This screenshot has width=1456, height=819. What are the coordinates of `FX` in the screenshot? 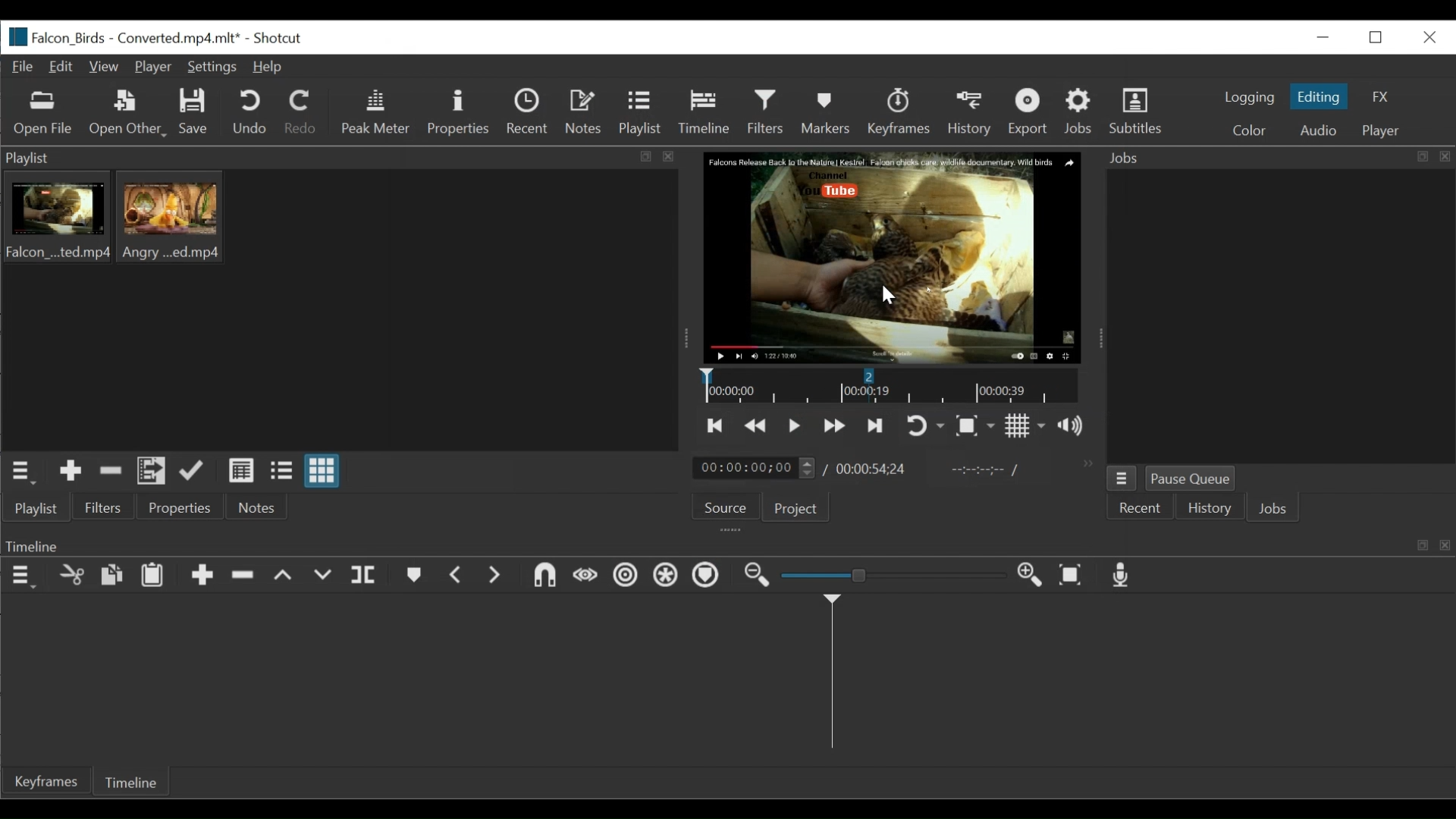 It's located at (1377, 98).